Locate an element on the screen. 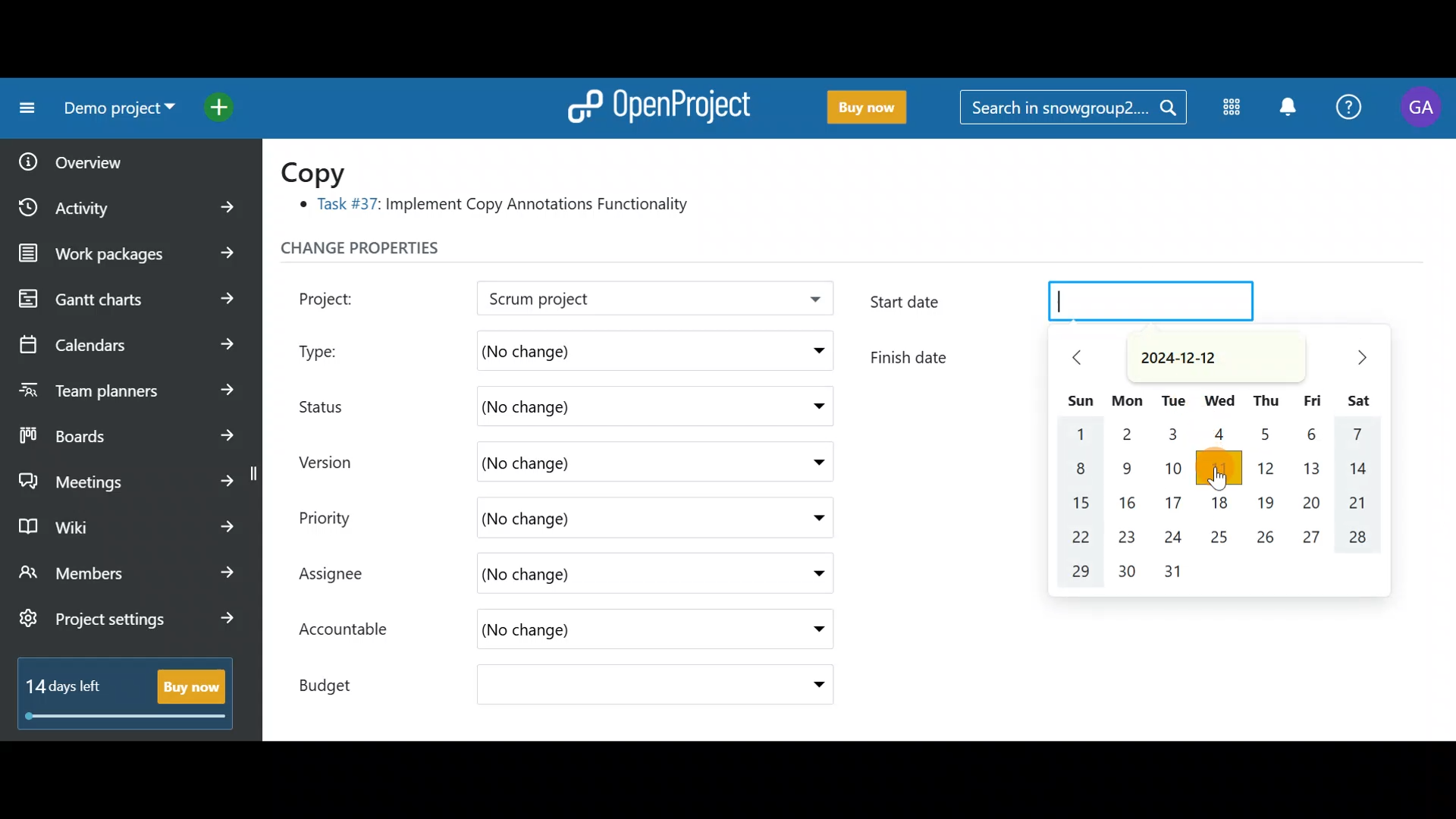 This screenshot has height=819, width=1456. Change properties is located at coordinates (391, 252).